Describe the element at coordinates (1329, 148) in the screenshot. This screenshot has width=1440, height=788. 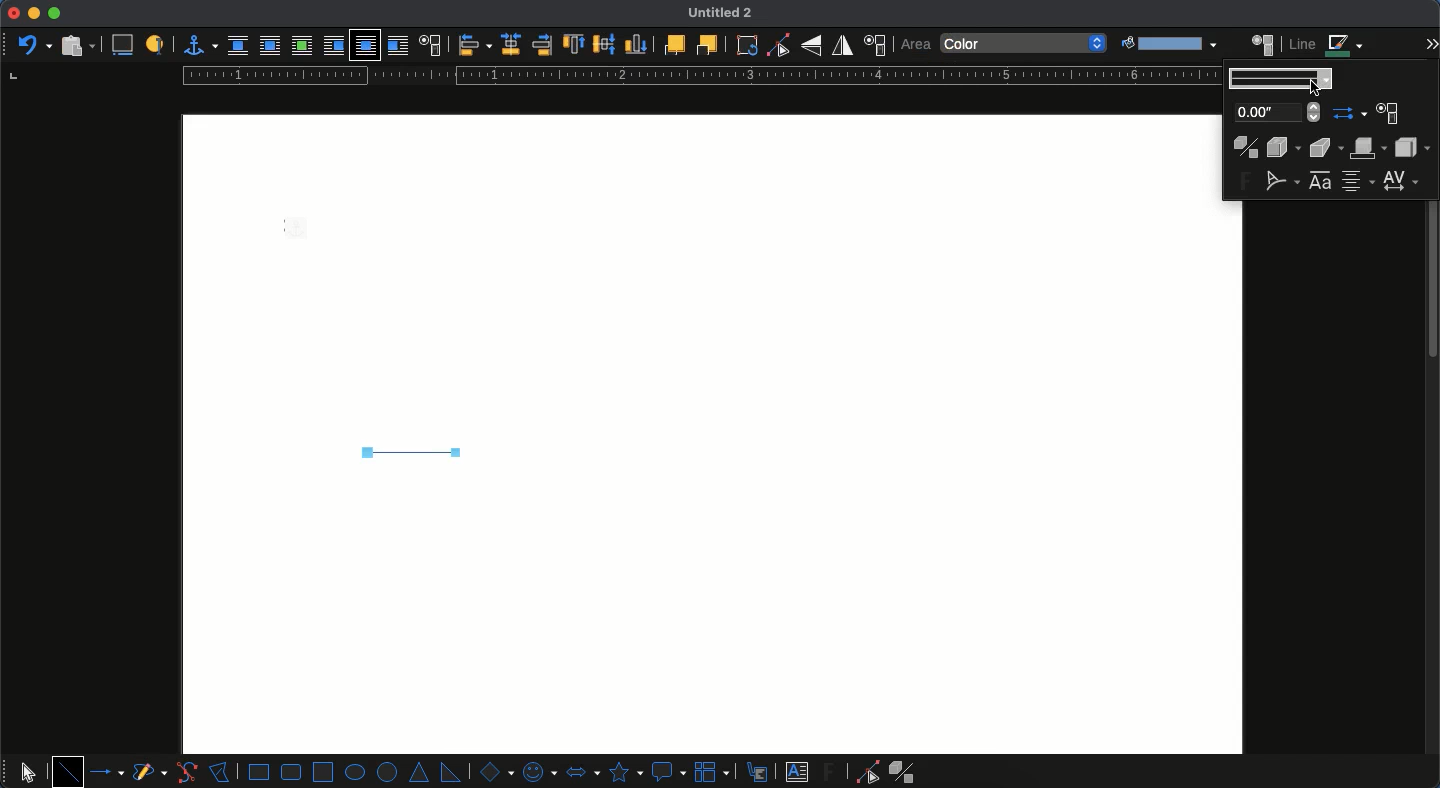
I see `direction` at that location.